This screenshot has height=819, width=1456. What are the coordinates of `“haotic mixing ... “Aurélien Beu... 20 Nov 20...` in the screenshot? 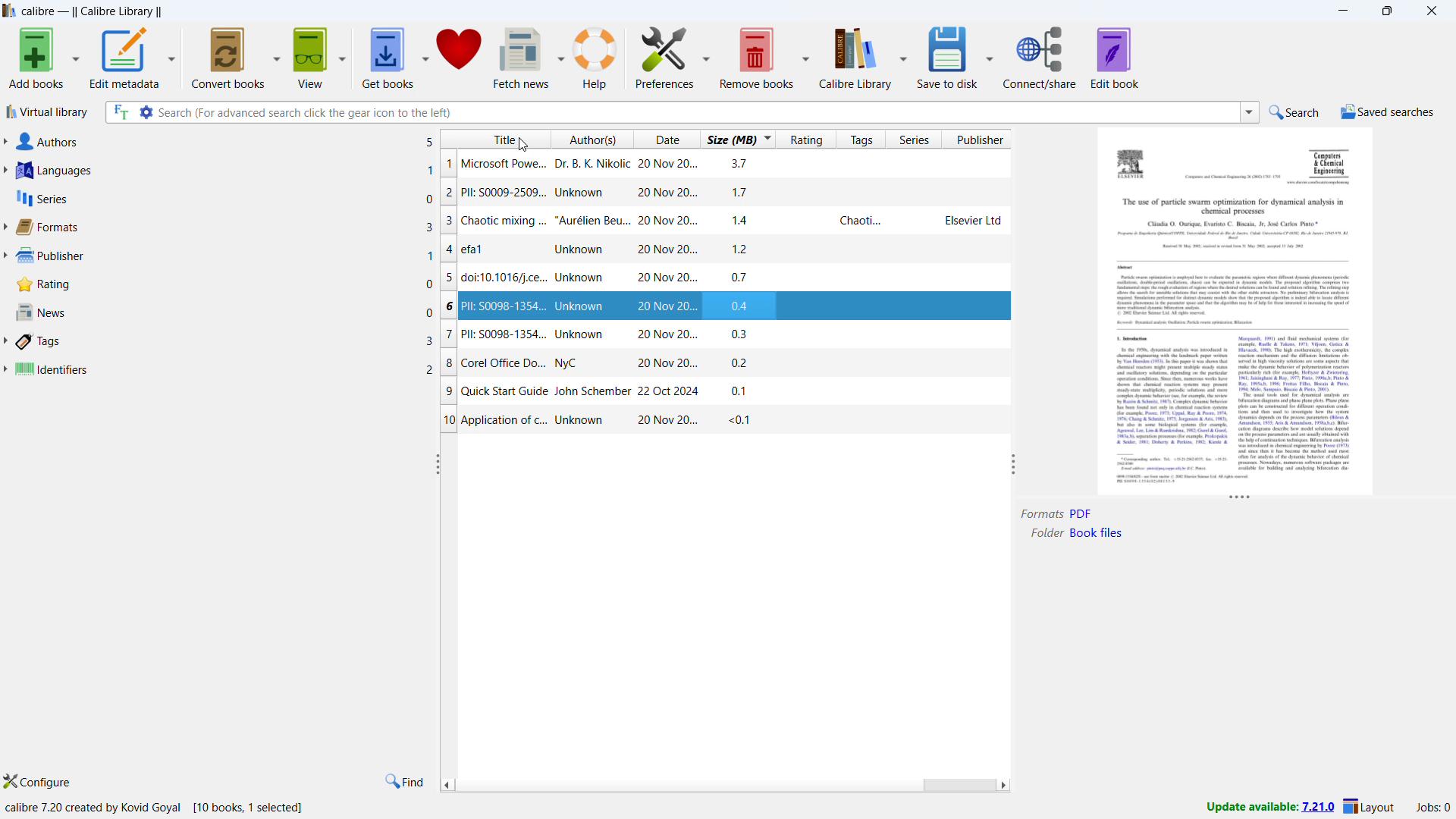 It's located at (581, 219).